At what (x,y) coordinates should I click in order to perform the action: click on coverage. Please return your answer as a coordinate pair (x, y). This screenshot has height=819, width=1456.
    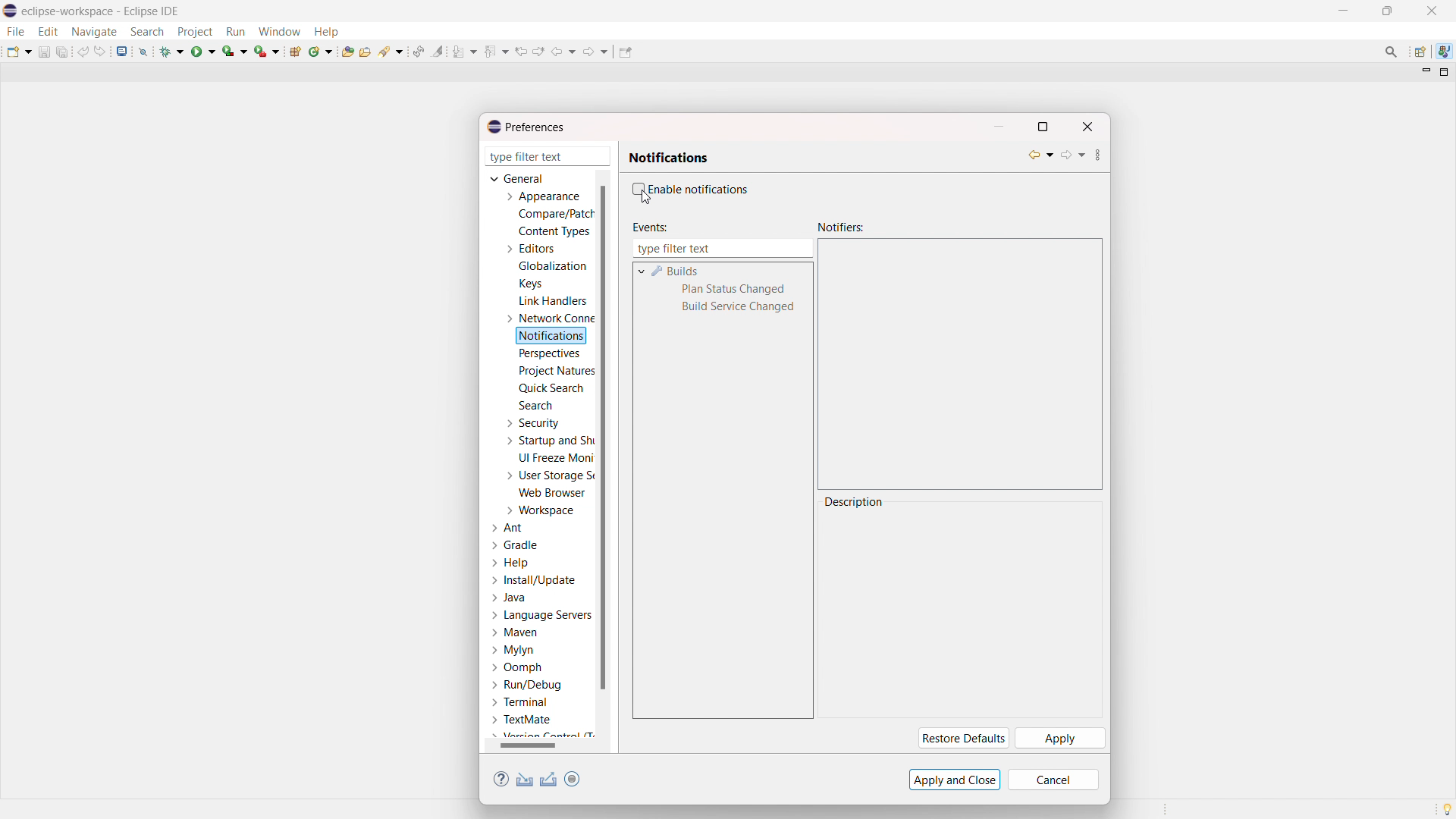
    Looking at the image, I should click on (235, 51).